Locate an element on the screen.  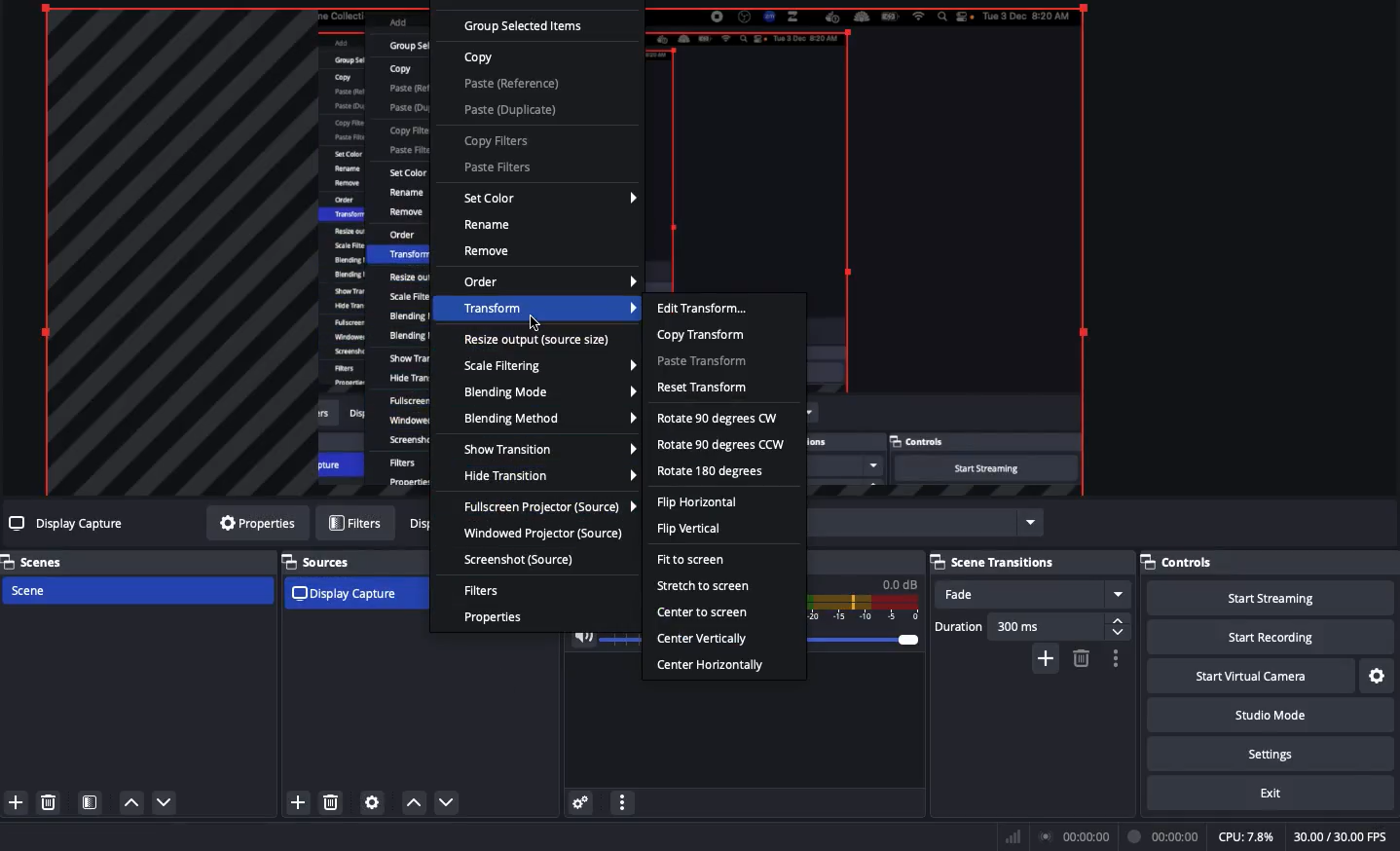
Start recording is located at coordinates (1269, 640).